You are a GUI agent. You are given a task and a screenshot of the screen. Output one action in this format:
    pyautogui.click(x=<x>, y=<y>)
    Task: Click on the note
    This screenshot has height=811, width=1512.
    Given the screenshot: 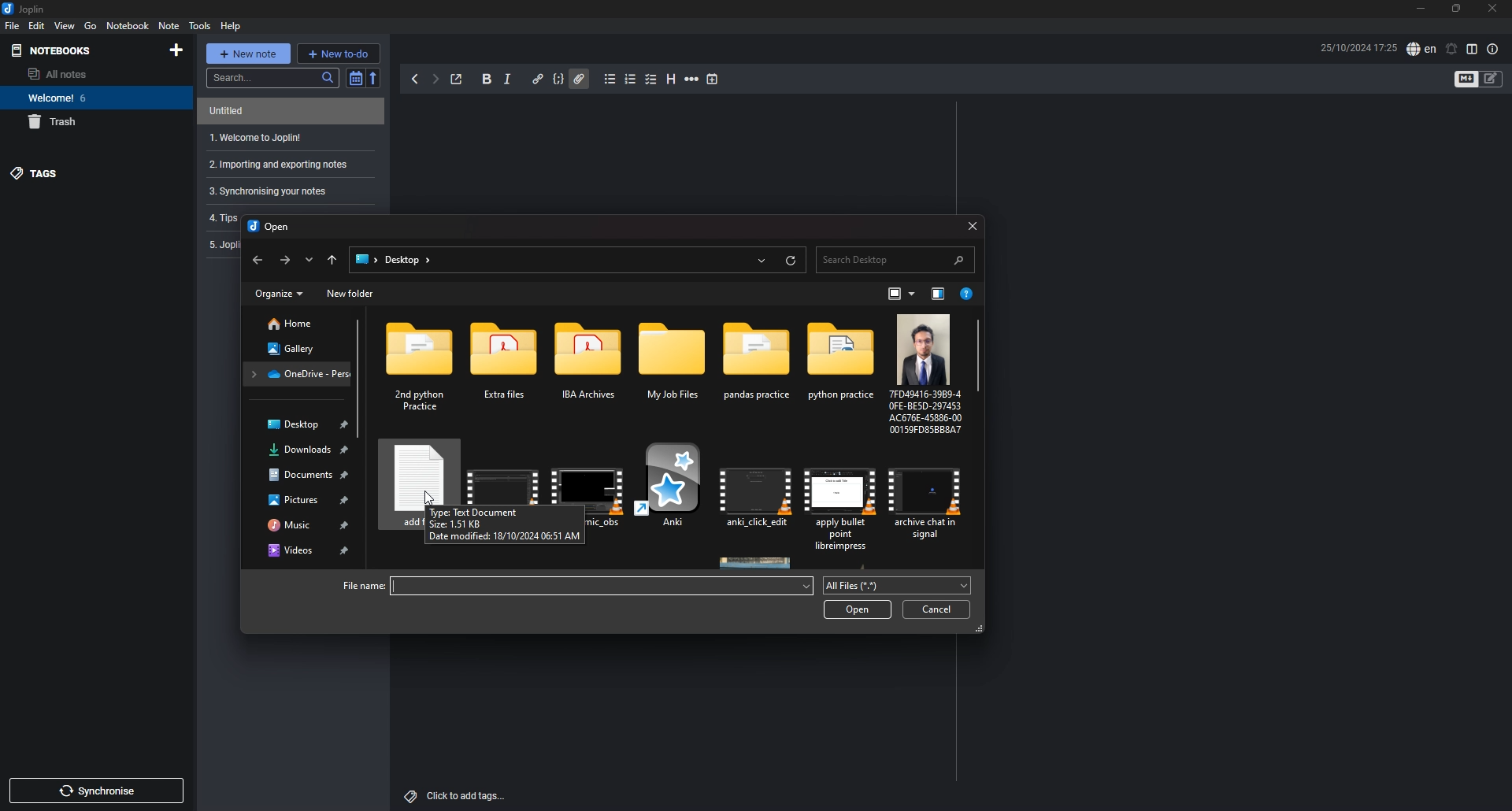 What is the action you would take?
    pyautogui.click(x=284, y=111)
    